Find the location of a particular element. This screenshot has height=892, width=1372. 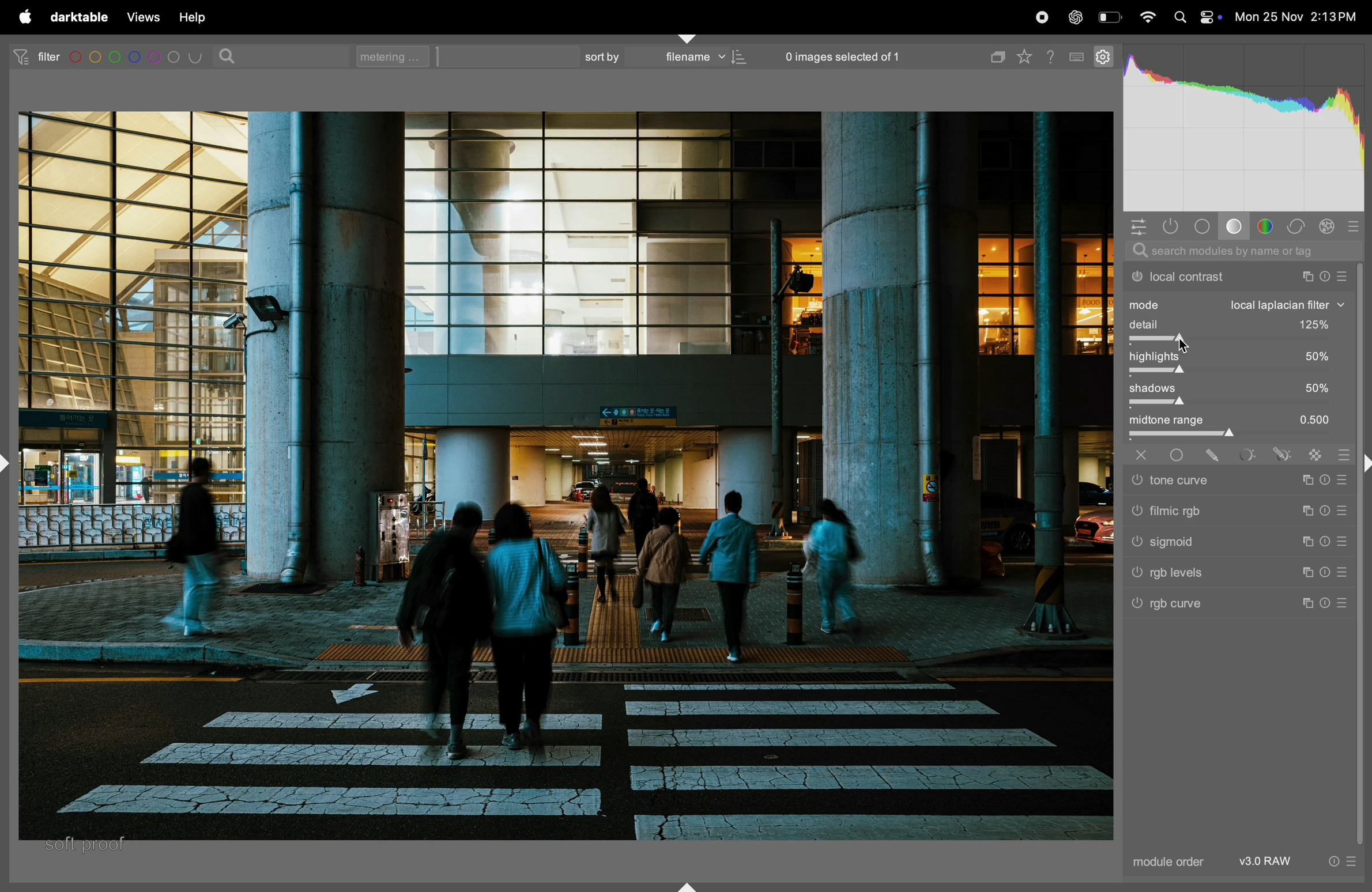

shift+ctrl+l is located at coordinates (10, 462).